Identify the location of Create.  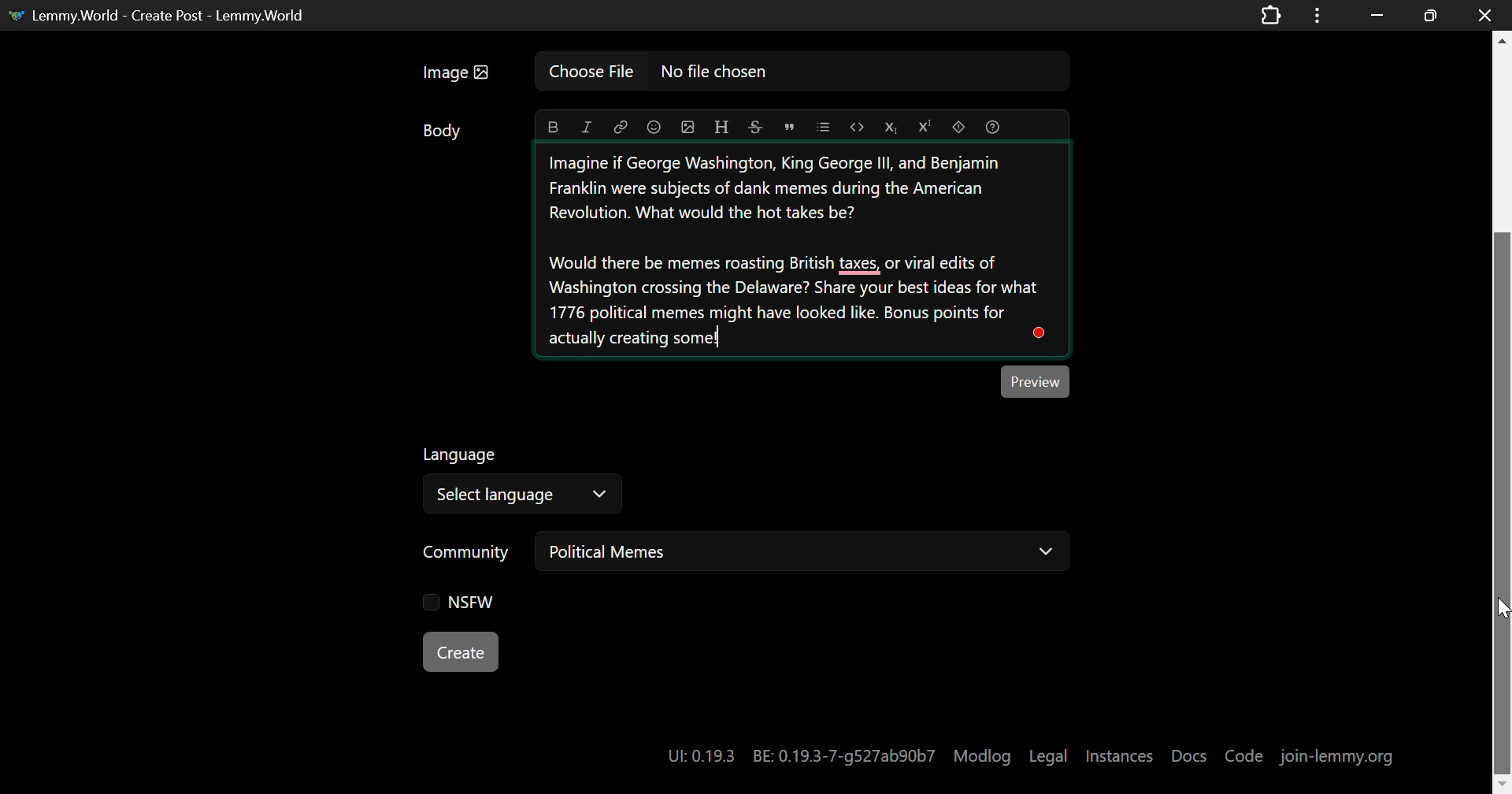
(460, 651).